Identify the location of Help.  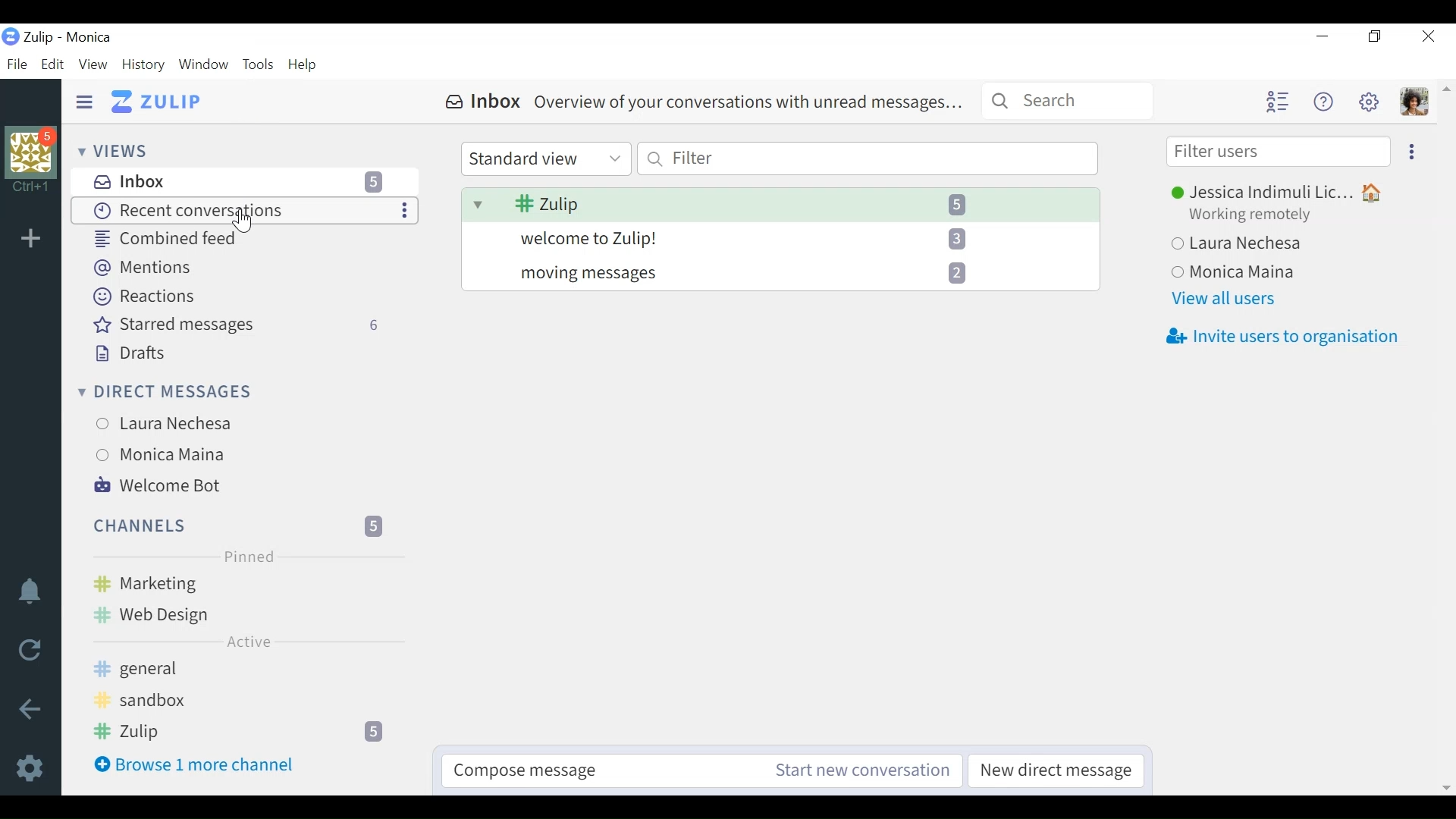
(307, 64).